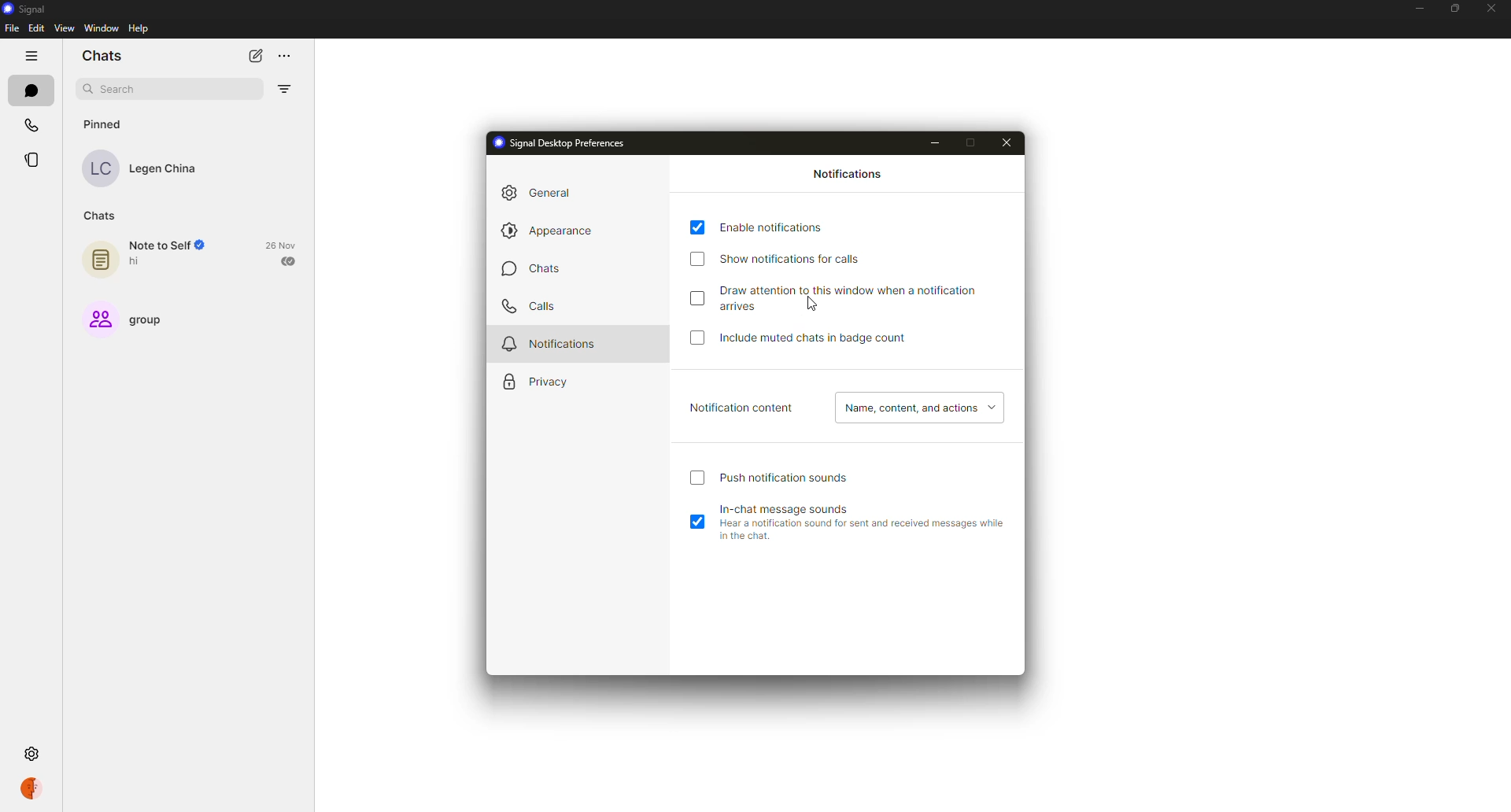  I want to click on profile, so click(35, 788).